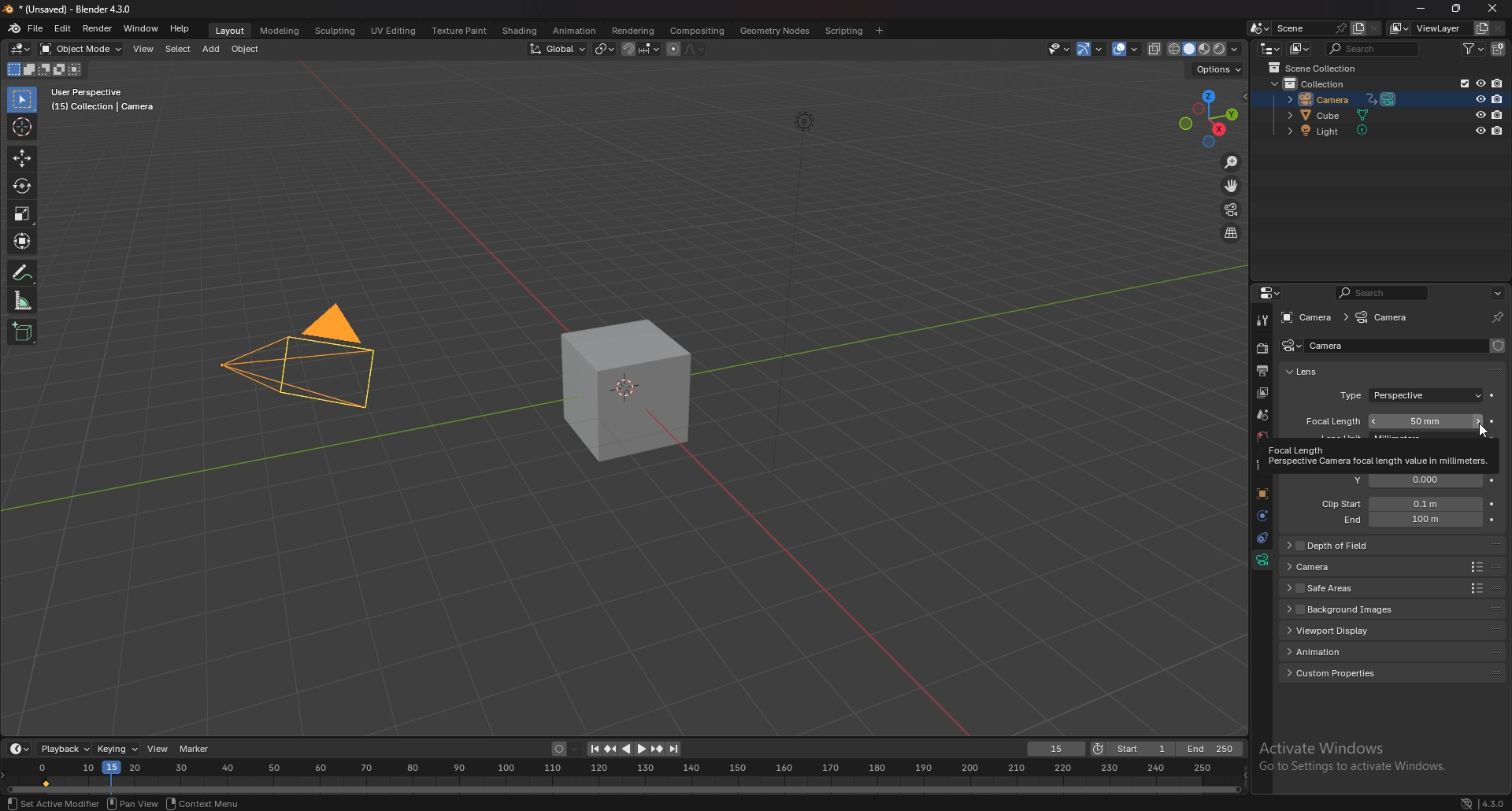 Image resolution: width=1512 pixels, height=811 pixels. Describe the element at coordinates (1299, 49) in the screenshot. I see `display mode` at that location.